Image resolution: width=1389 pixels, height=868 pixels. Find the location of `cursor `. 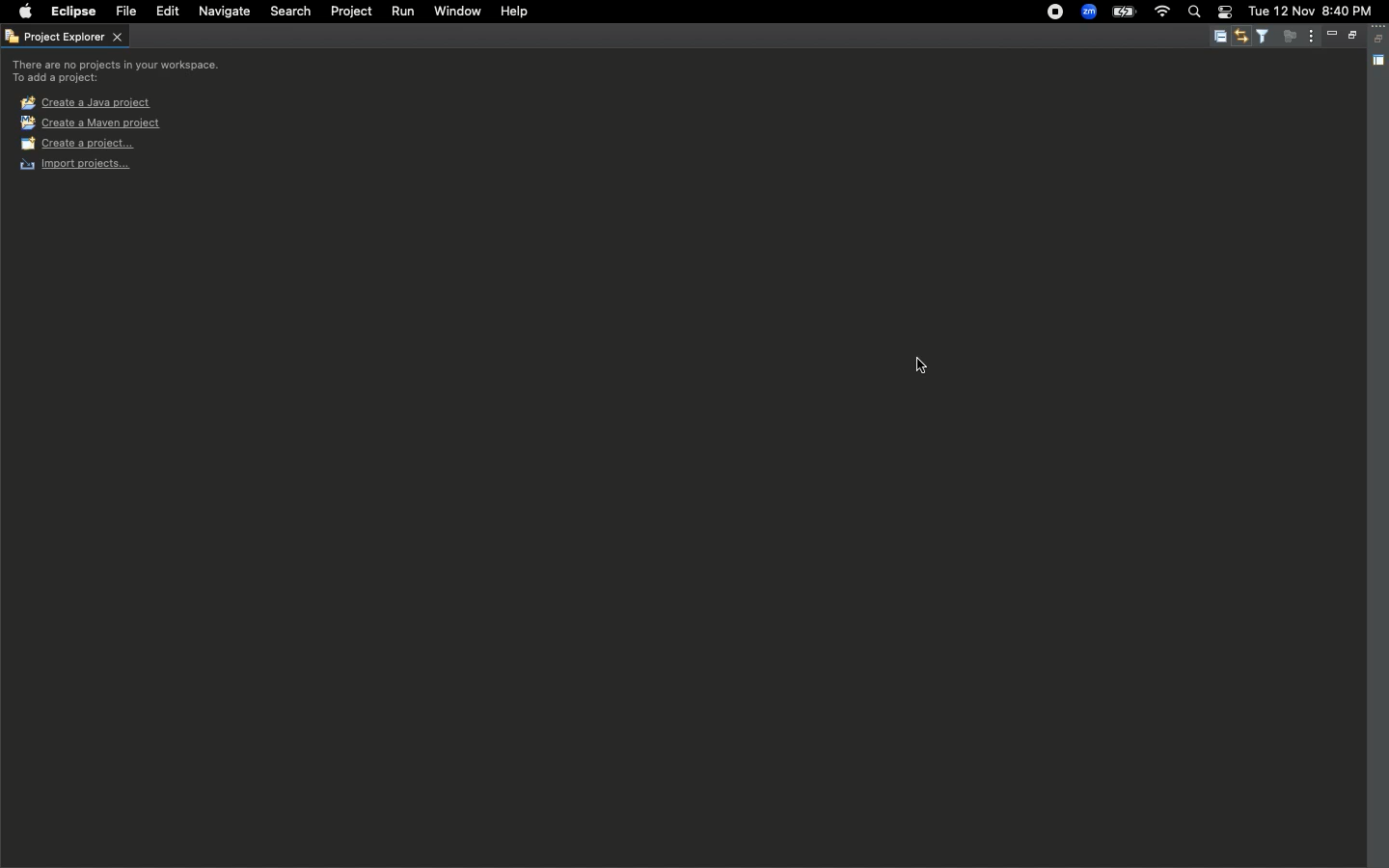

cursor  is located at coordinates (919, 366).